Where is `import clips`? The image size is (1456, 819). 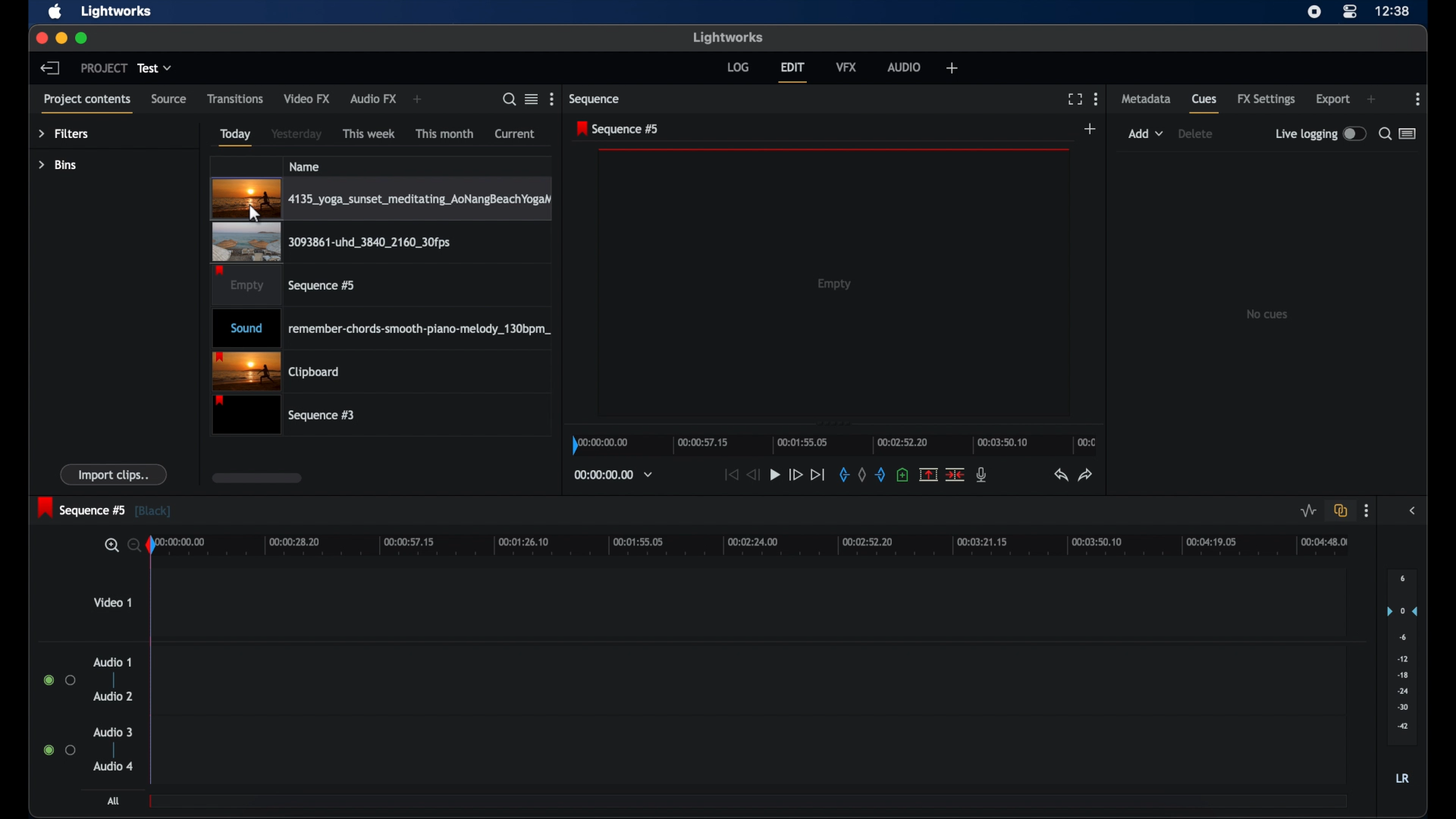 import clips is located at coordinates (113, 475).